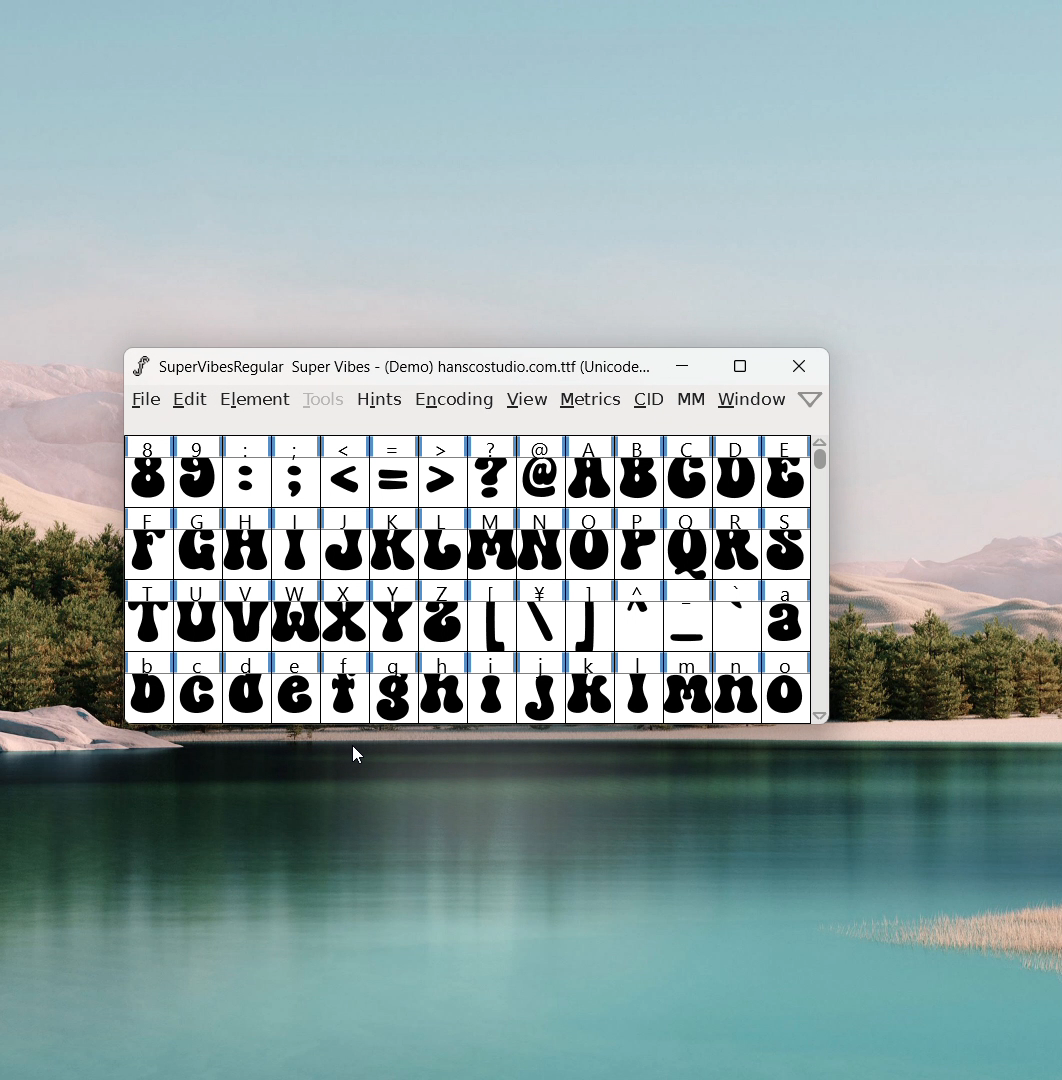 Image resolution: width=1062 pixels, height=1080 pixels. Describe the element at coordinates (640, 687) in the screenshot. I see `l` at that location.